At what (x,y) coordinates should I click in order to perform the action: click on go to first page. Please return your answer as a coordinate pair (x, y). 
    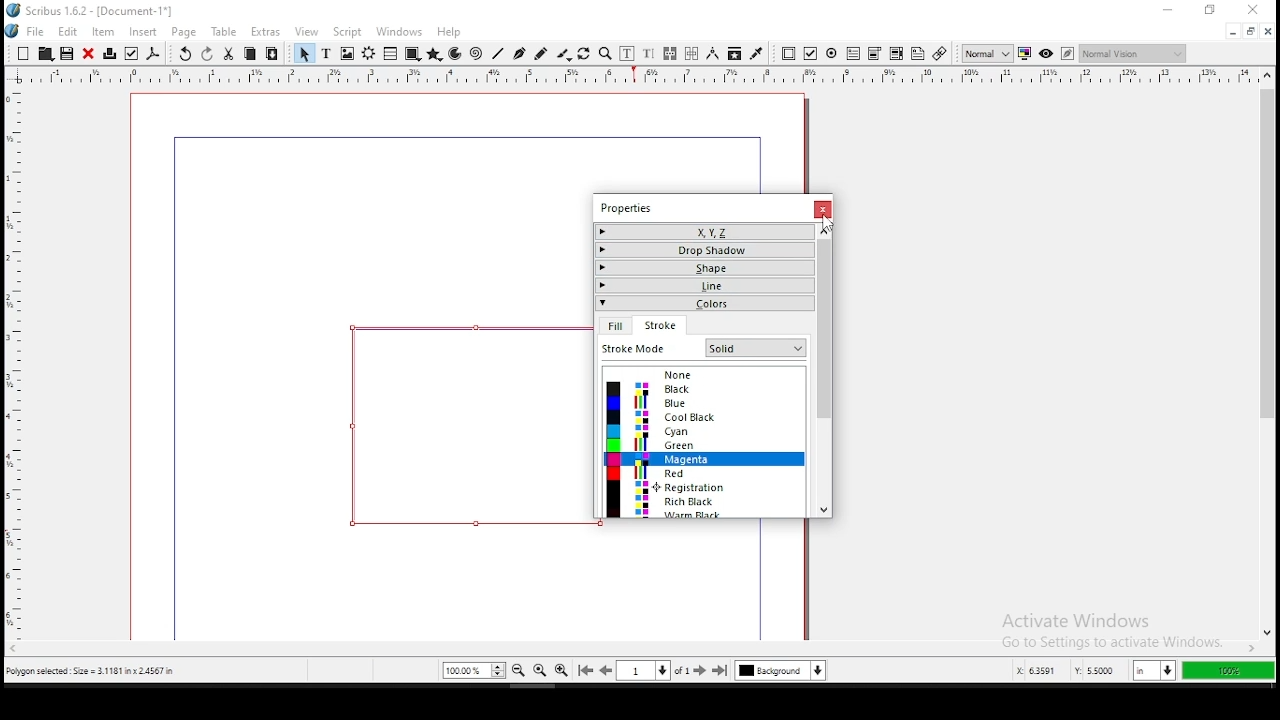
    Looking at the image, I should click on (586, 672).